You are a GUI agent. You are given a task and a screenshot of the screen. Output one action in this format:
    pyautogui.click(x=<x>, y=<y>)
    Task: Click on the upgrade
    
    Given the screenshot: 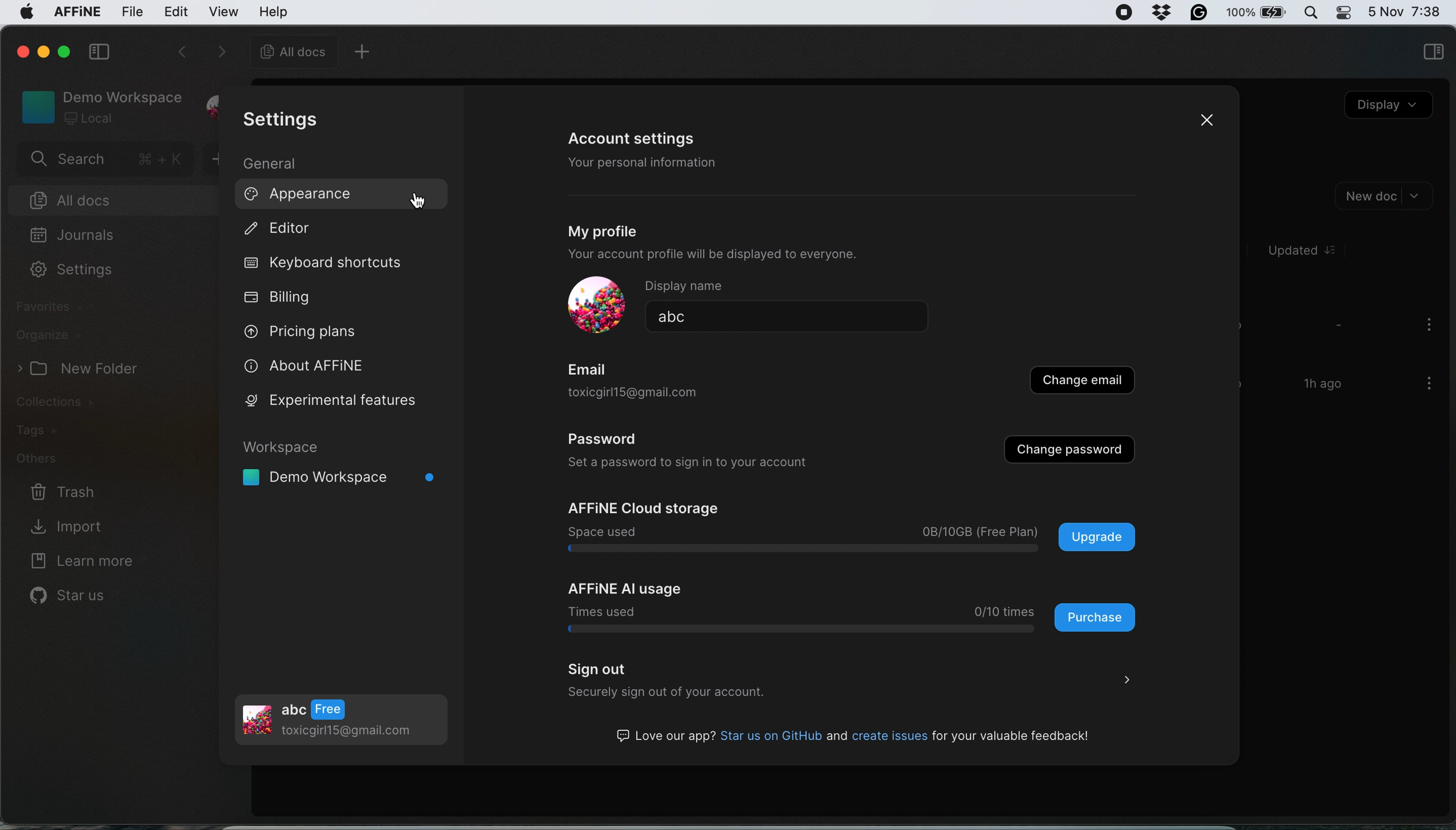 What is the action you would take?
    pyautogui.click(x=1099, y=536)
    